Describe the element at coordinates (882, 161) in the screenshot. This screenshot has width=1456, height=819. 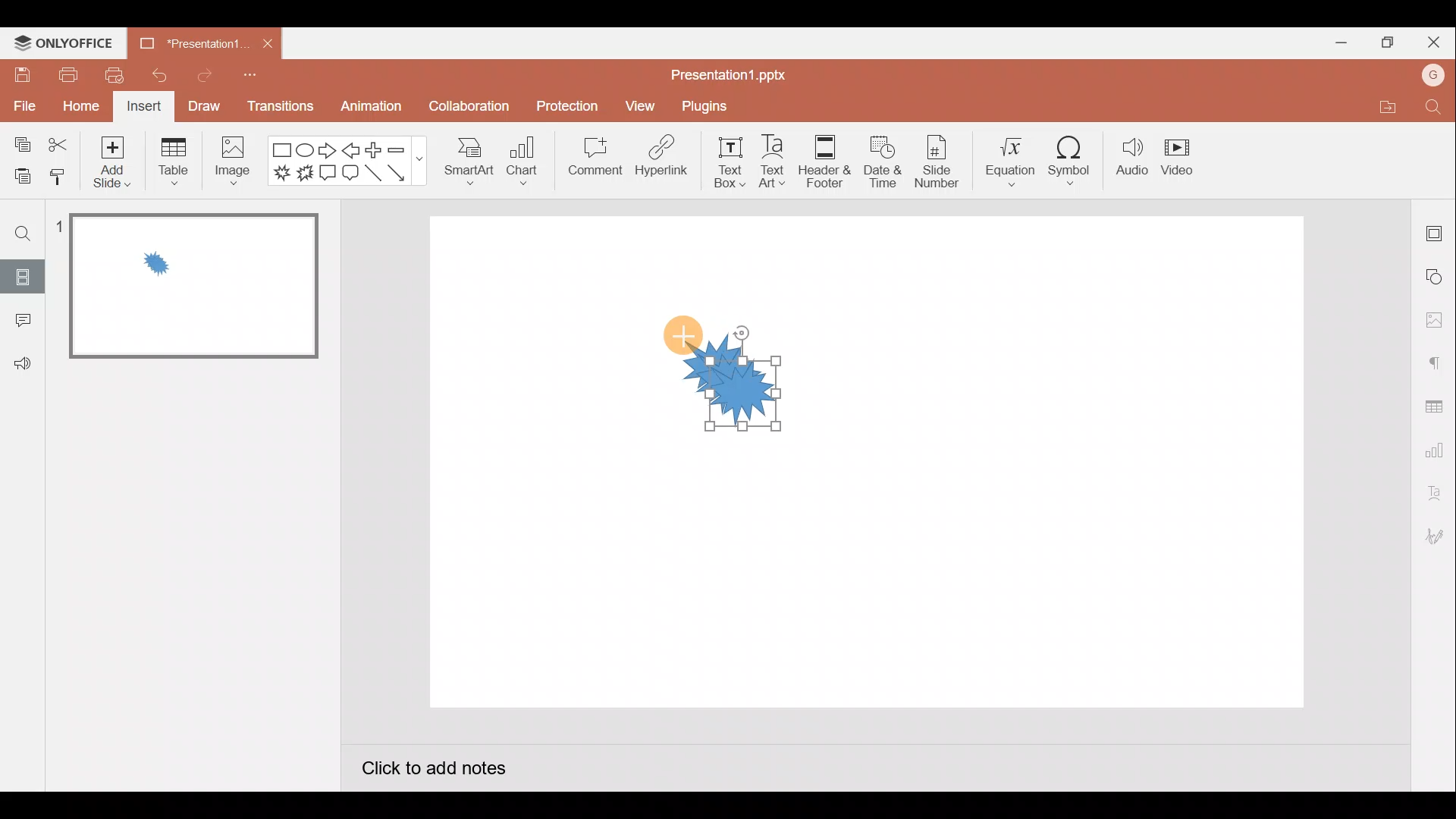
I see `Date & time` at that location.